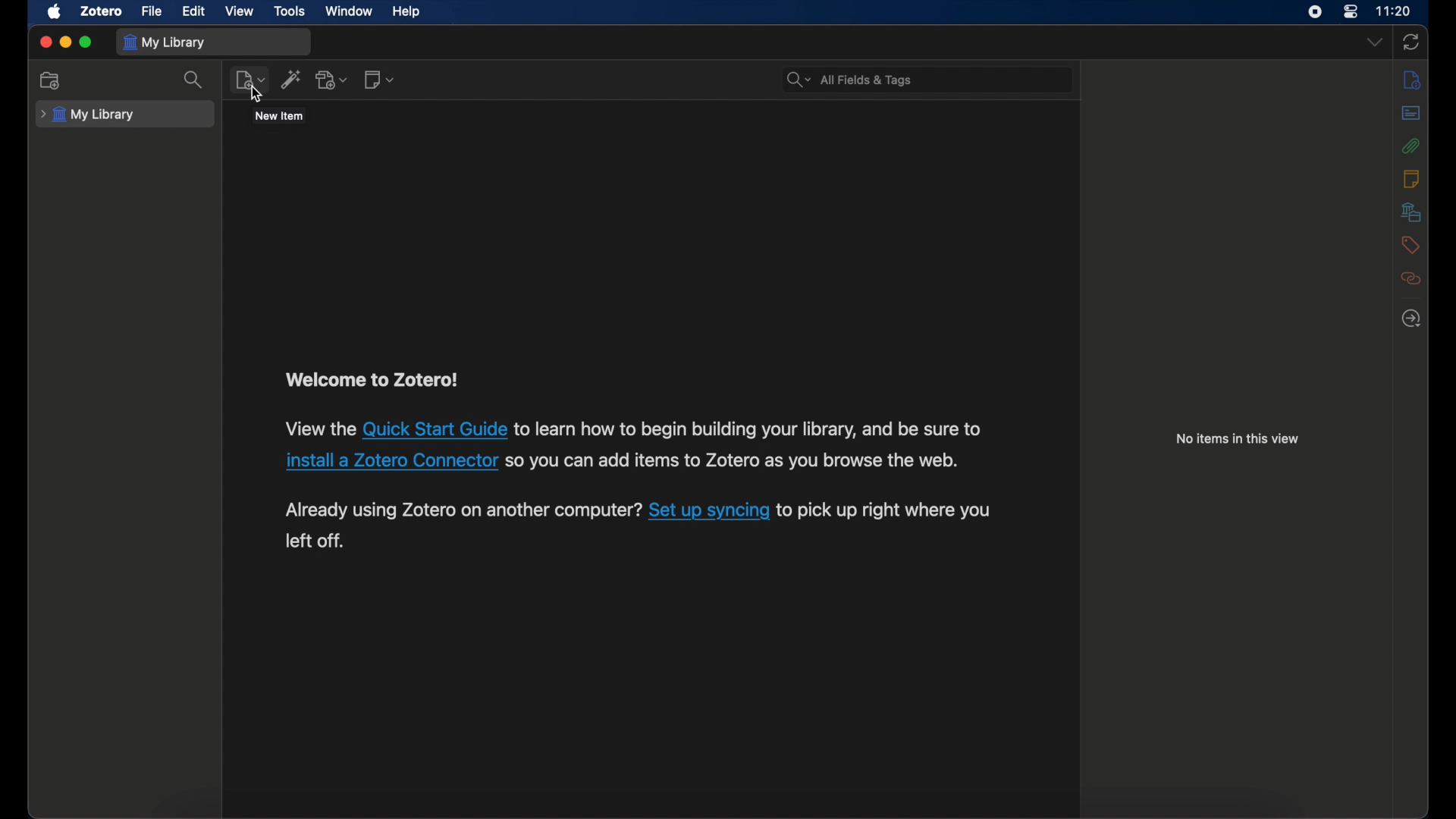  What do you see at coordinates (1351, 12) in the screenshot?
I see `control center` at bounding box center [1351, 12].